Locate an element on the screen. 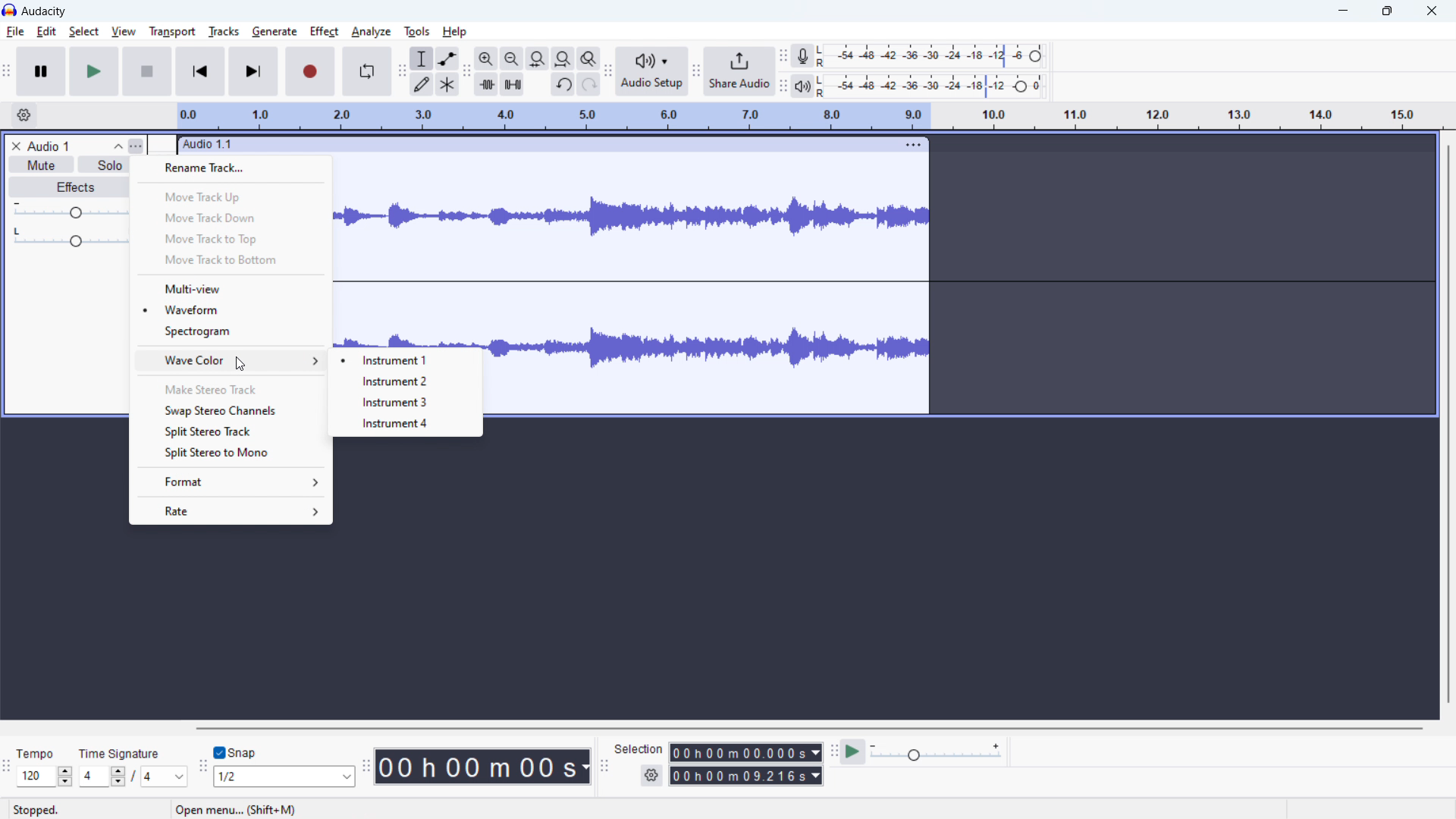  gain is located at coordinates (71, 213).